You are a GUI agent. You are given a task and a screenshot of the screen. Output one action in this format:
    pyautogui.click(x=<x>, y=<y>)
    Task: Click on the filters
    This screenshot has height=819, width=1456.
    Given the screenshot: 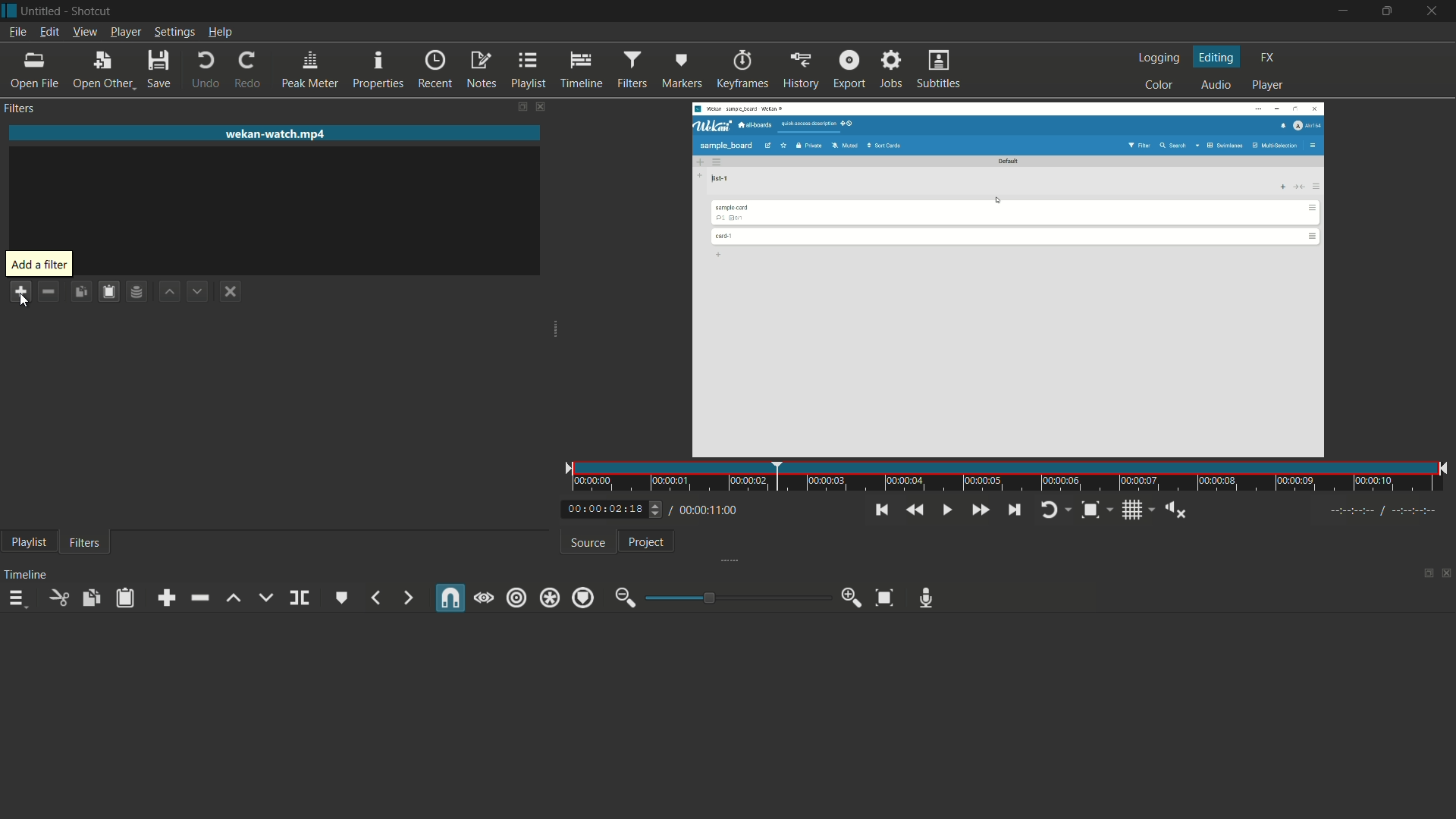 What is the action you would take?
    pyautogui.click(x=631, y=69)
    